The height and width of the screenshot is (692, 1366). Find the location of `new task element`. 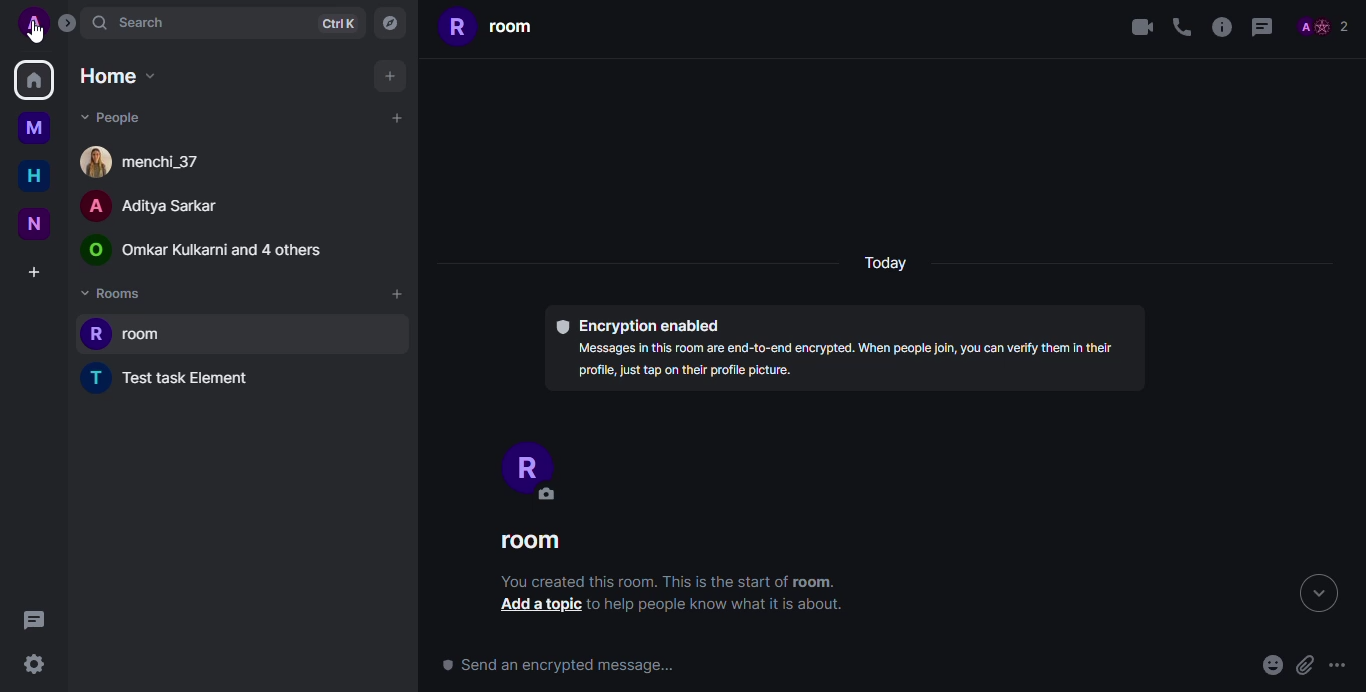

new task element is located at coordinates (179, 376).